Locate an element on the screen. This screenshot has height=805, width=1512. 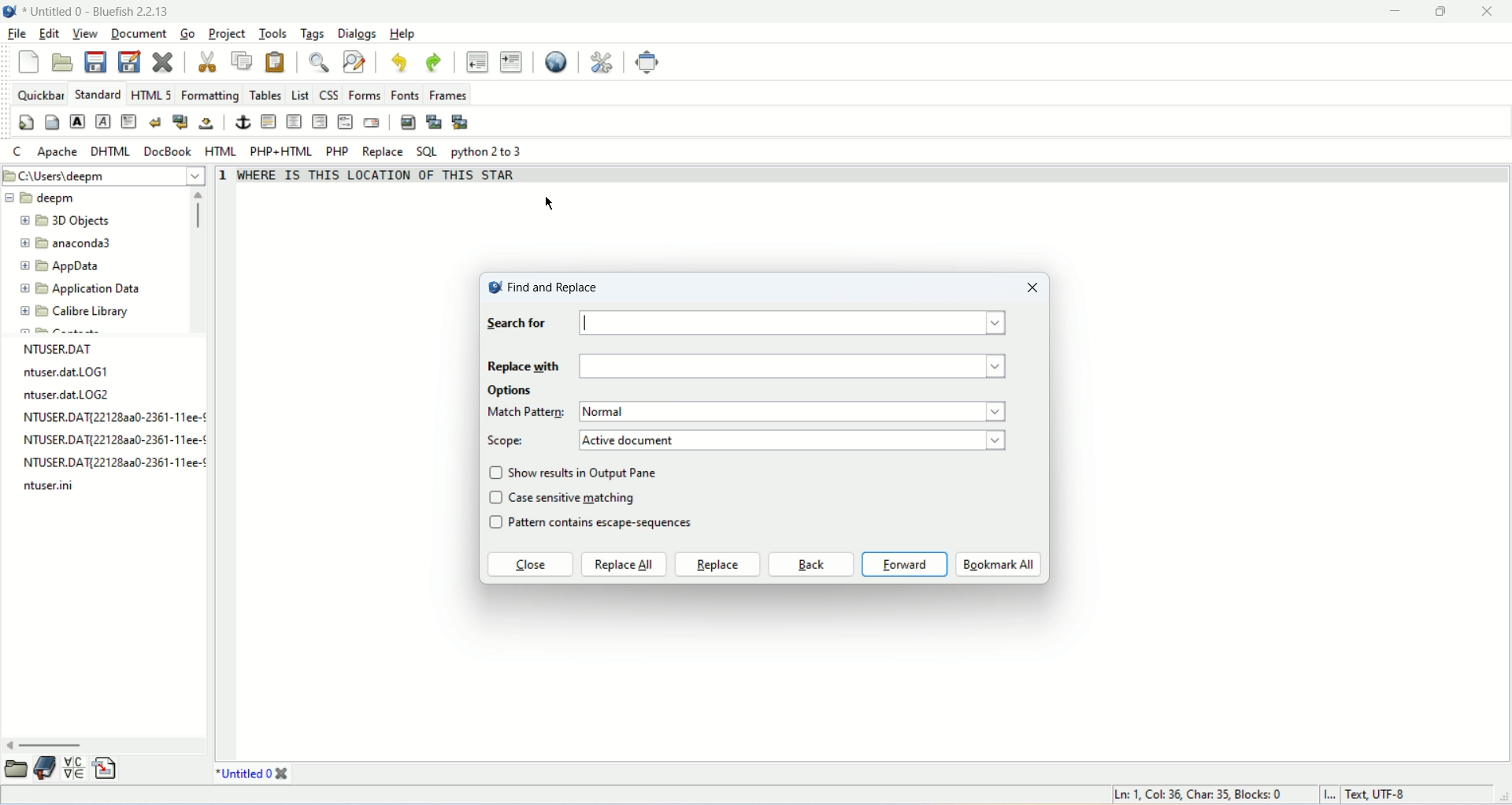
frames is located at coordinates (449, 96).